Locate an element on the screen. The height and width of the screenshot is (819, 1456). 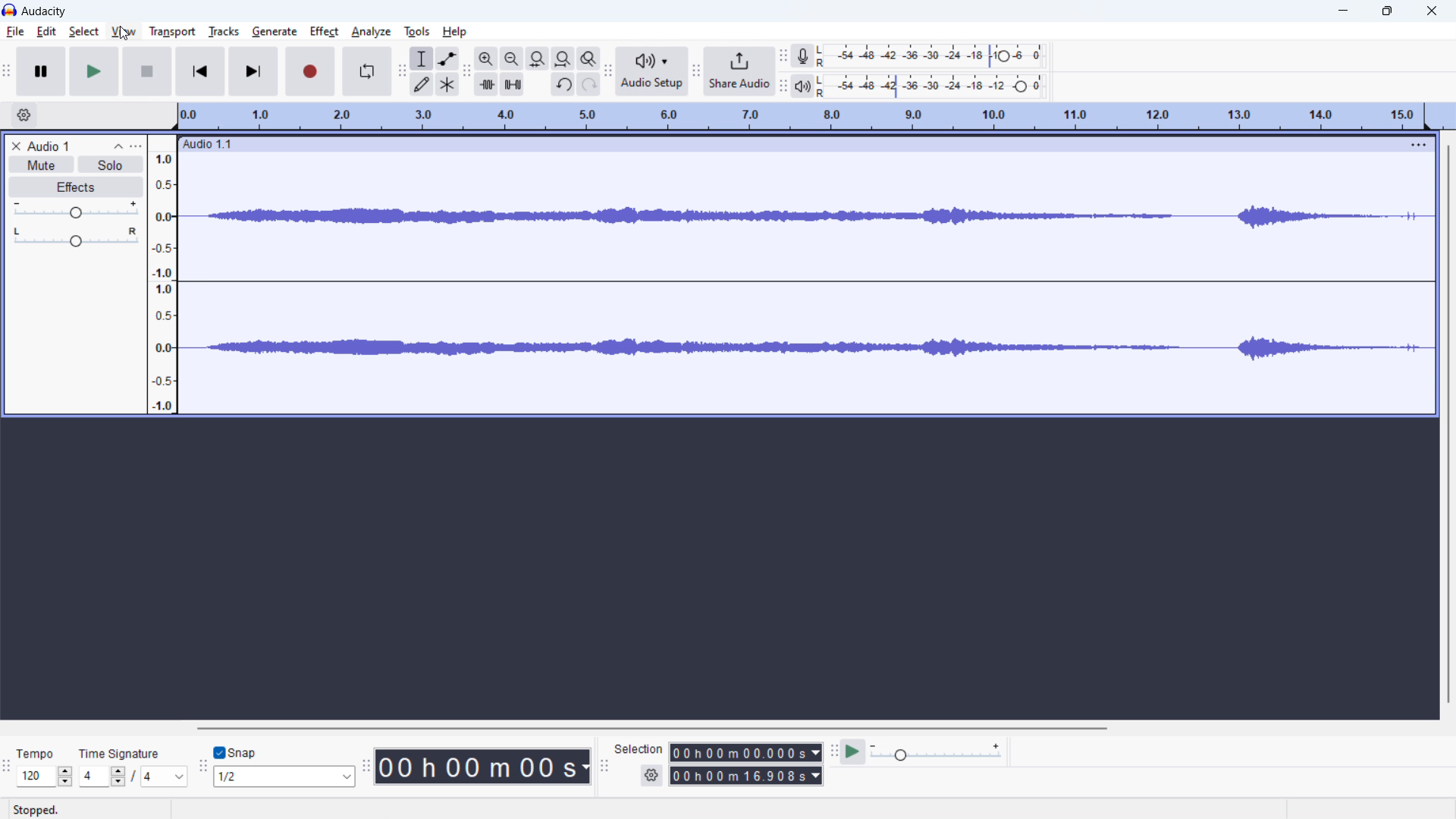
waveform is located at coordinates (770, 352).